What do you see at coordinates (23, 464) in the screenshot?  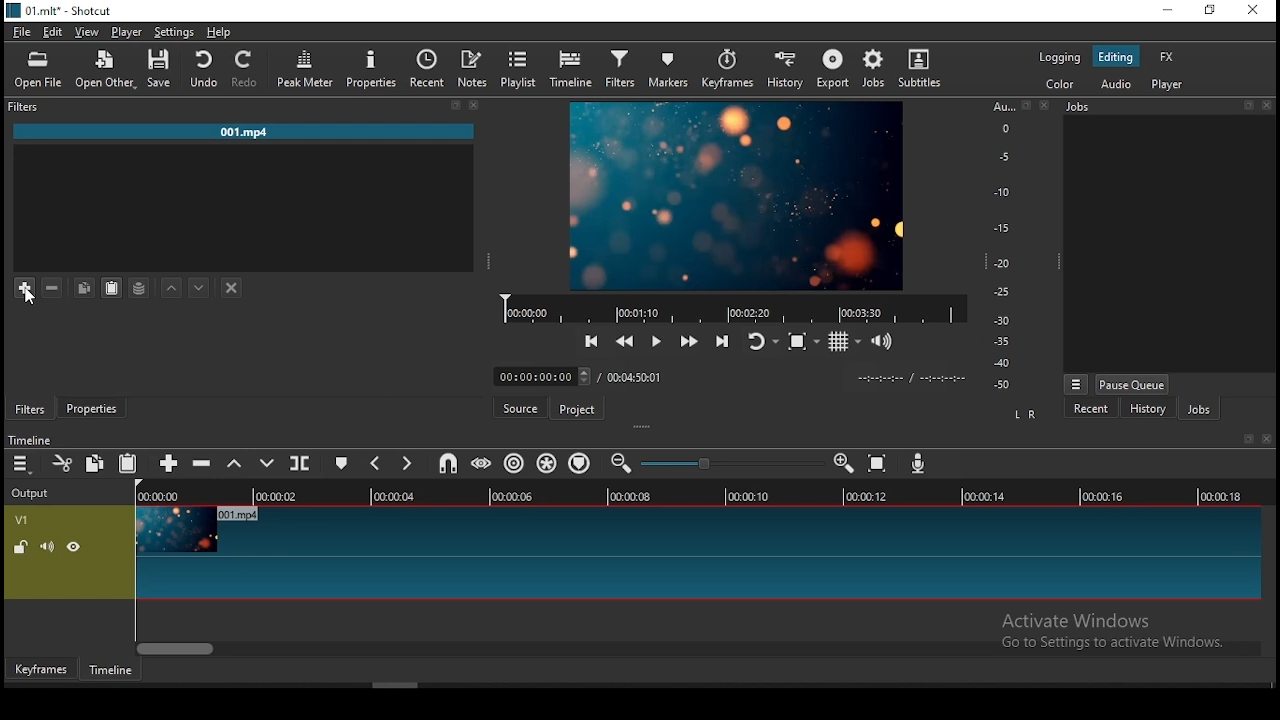 I see `timeline menu` at bounding box center [23, 464].